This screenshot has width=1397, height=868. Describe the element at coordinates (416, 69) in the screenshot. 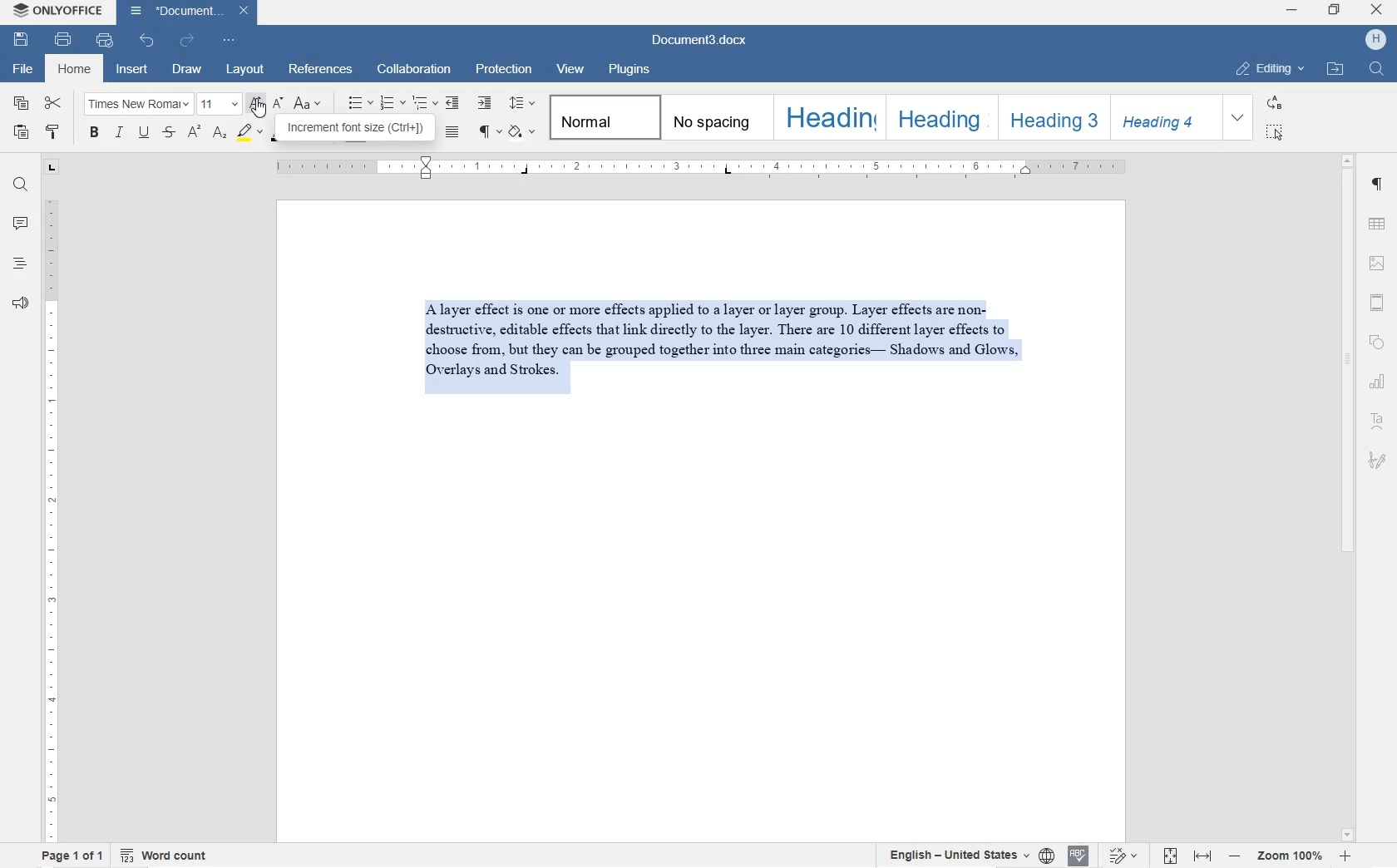

I see `collaboration` at that location.